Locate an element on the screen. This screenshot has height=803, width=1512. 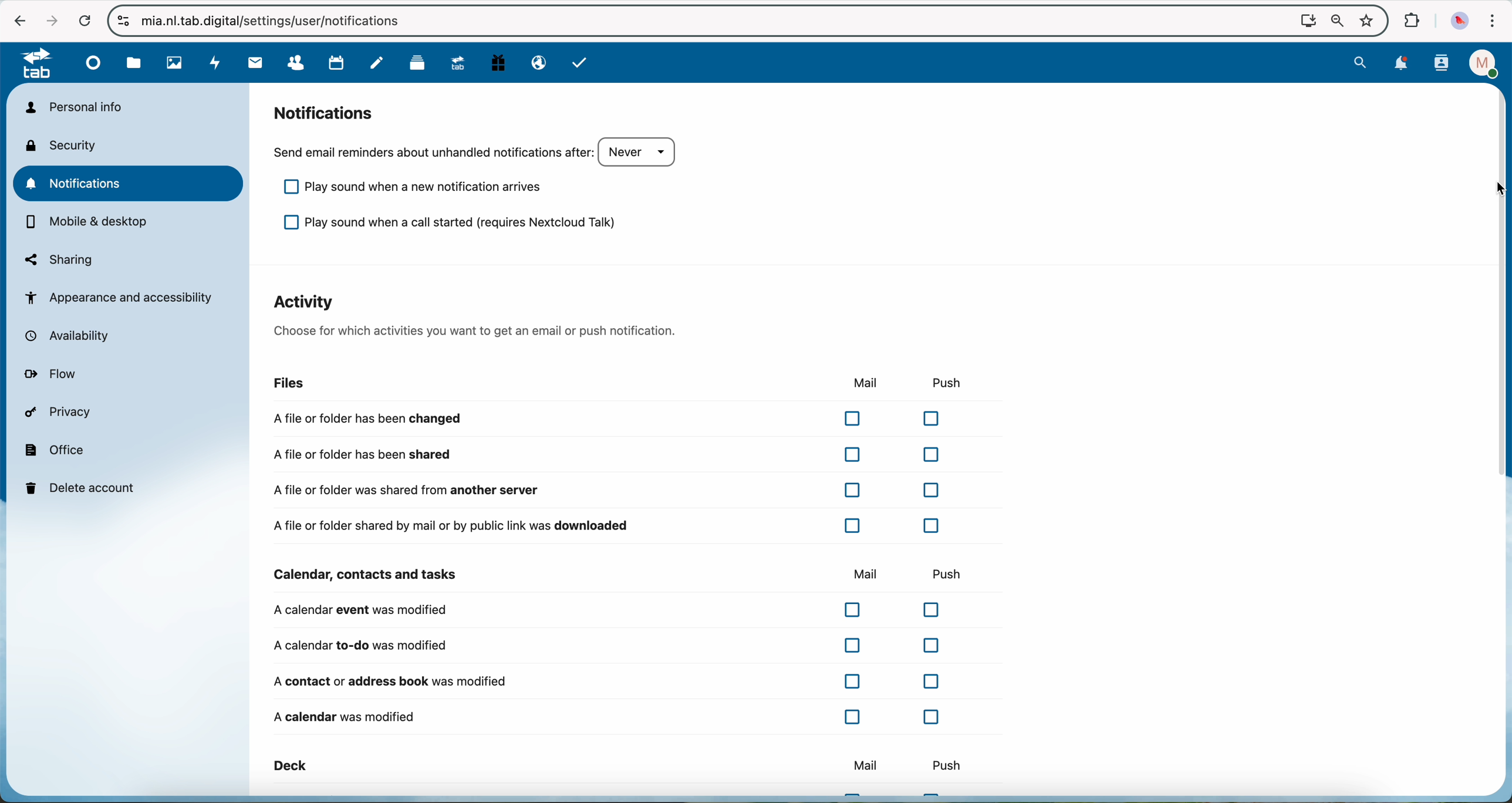
photos is located at coordinates (173, 63).